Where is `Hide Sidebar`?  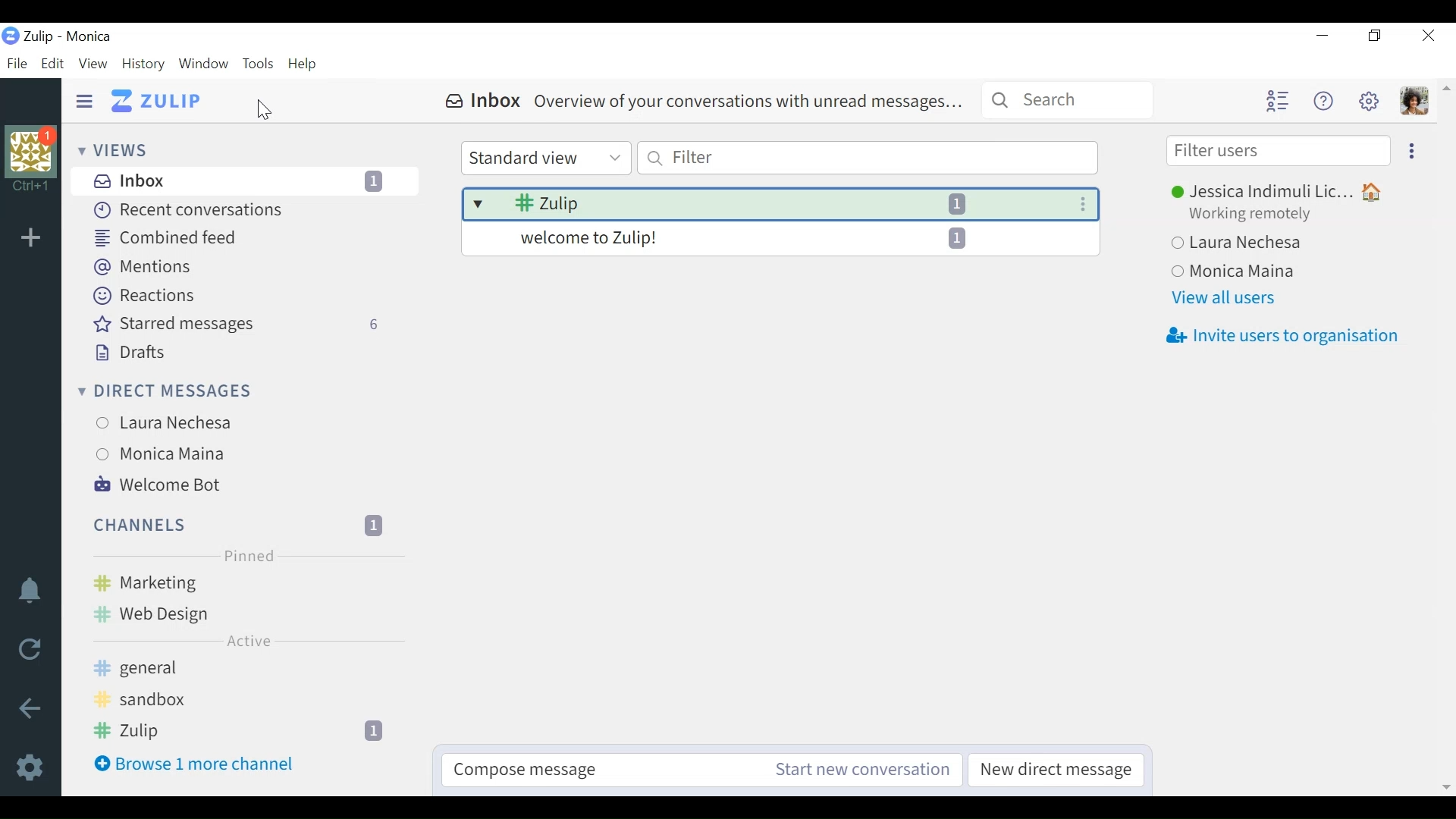 Hide Sidebar is located at coordinates (83, 101).